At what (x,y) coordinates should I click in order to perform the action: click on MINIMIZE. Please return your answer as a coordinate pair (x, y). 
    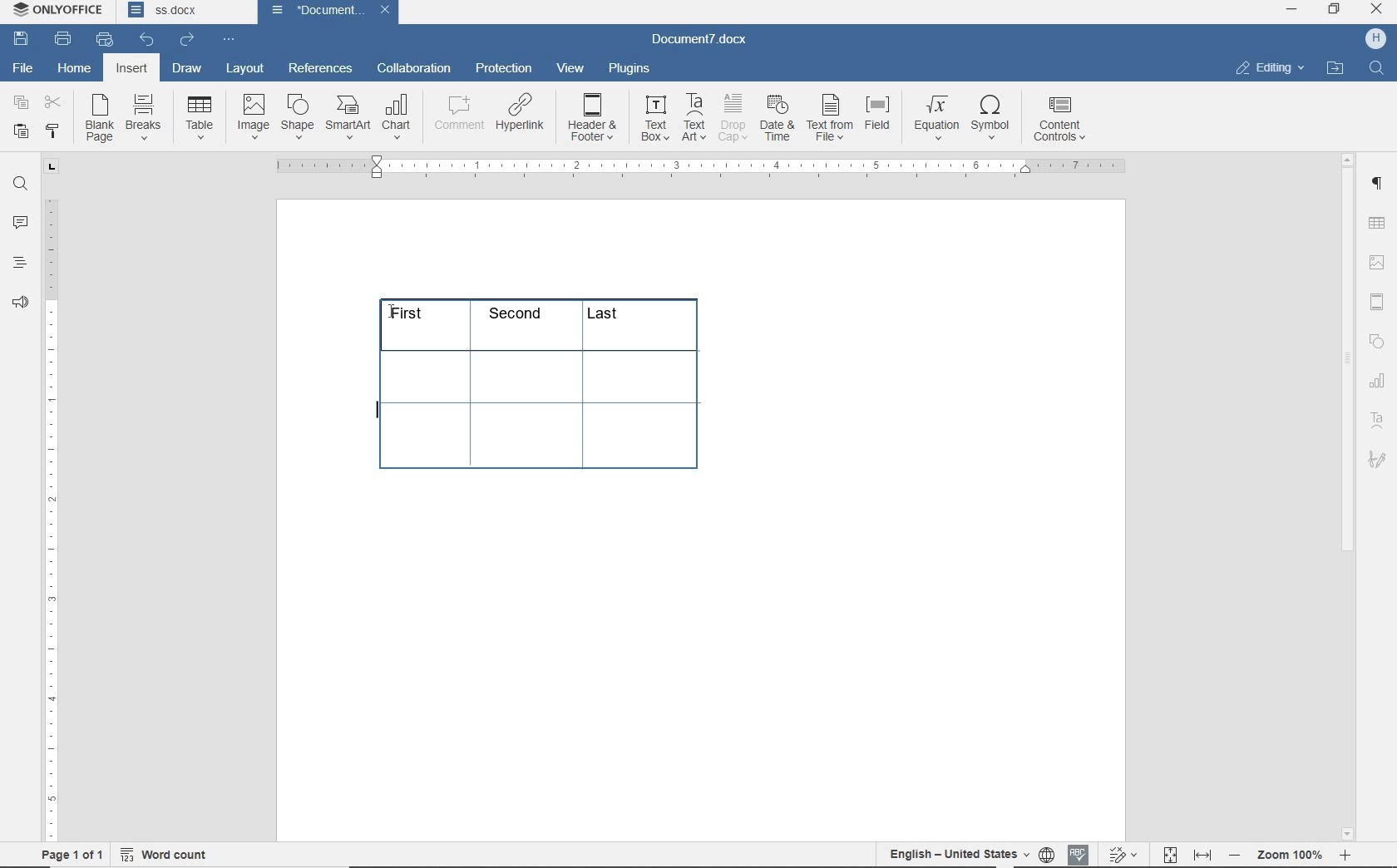
    Looking at the image, I should click on (1293, 9).